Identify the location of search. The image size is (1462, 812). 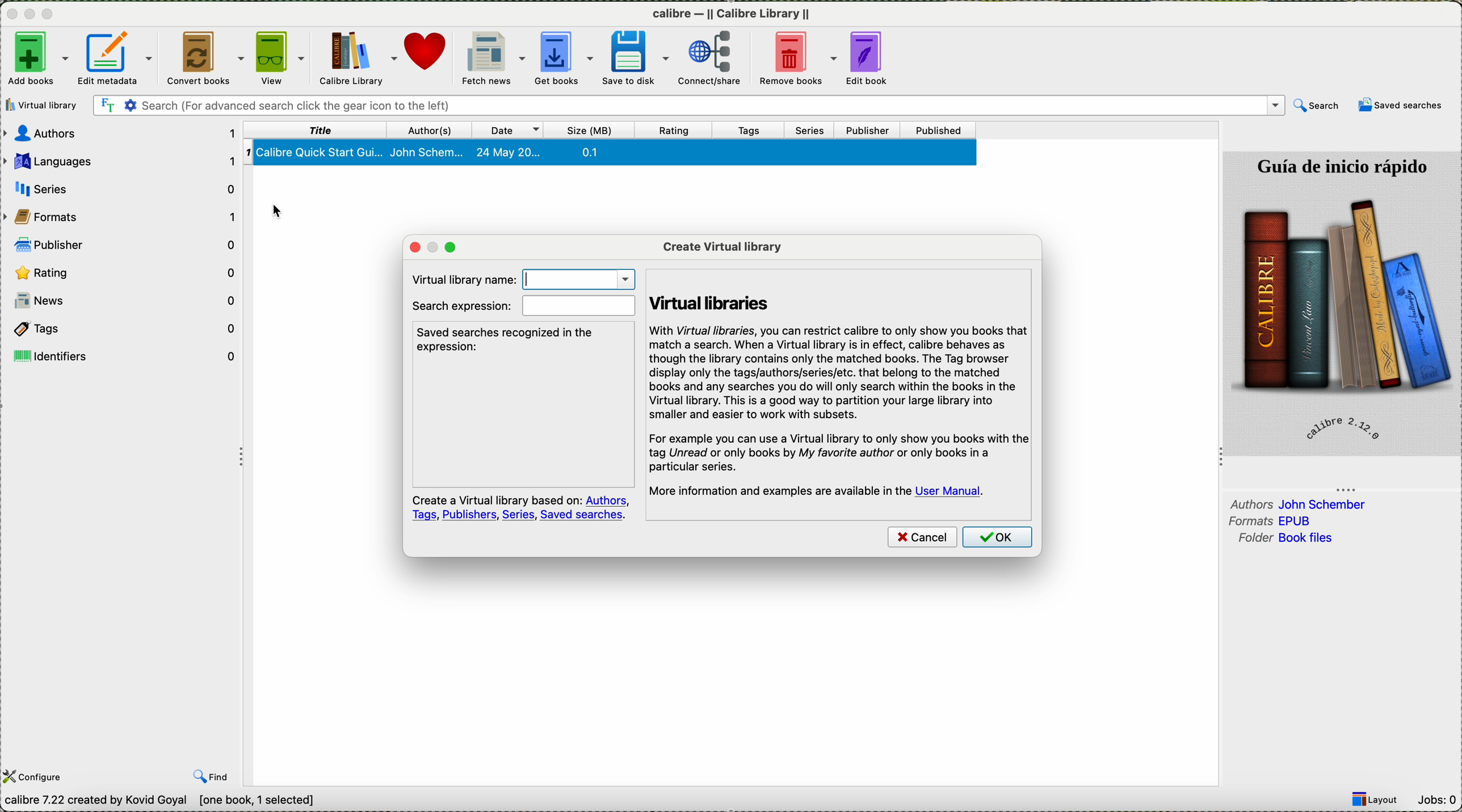
(687, 106).